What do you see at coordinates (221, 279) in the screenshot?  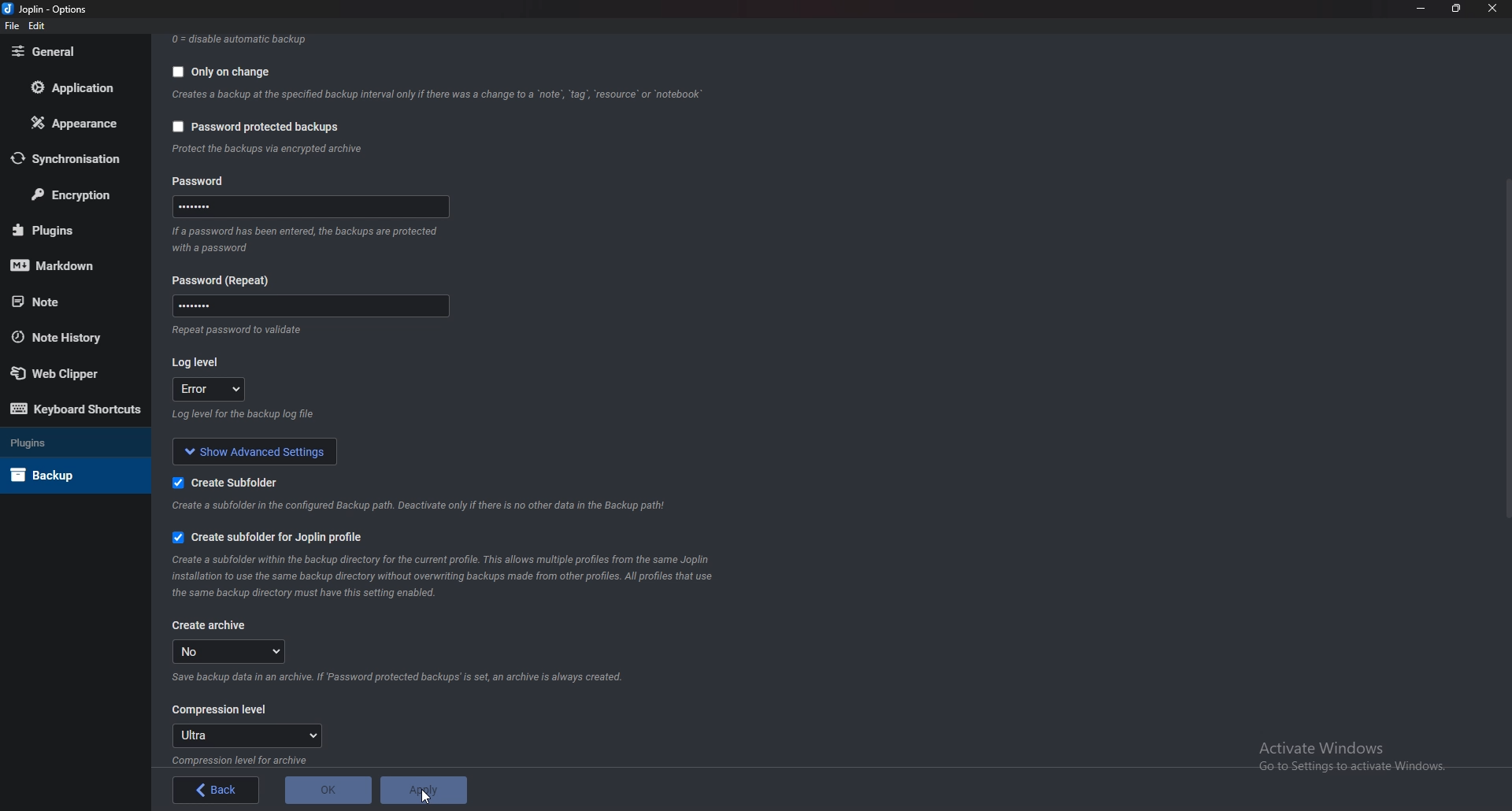 I see `Password` at bounding box center [221, 279].